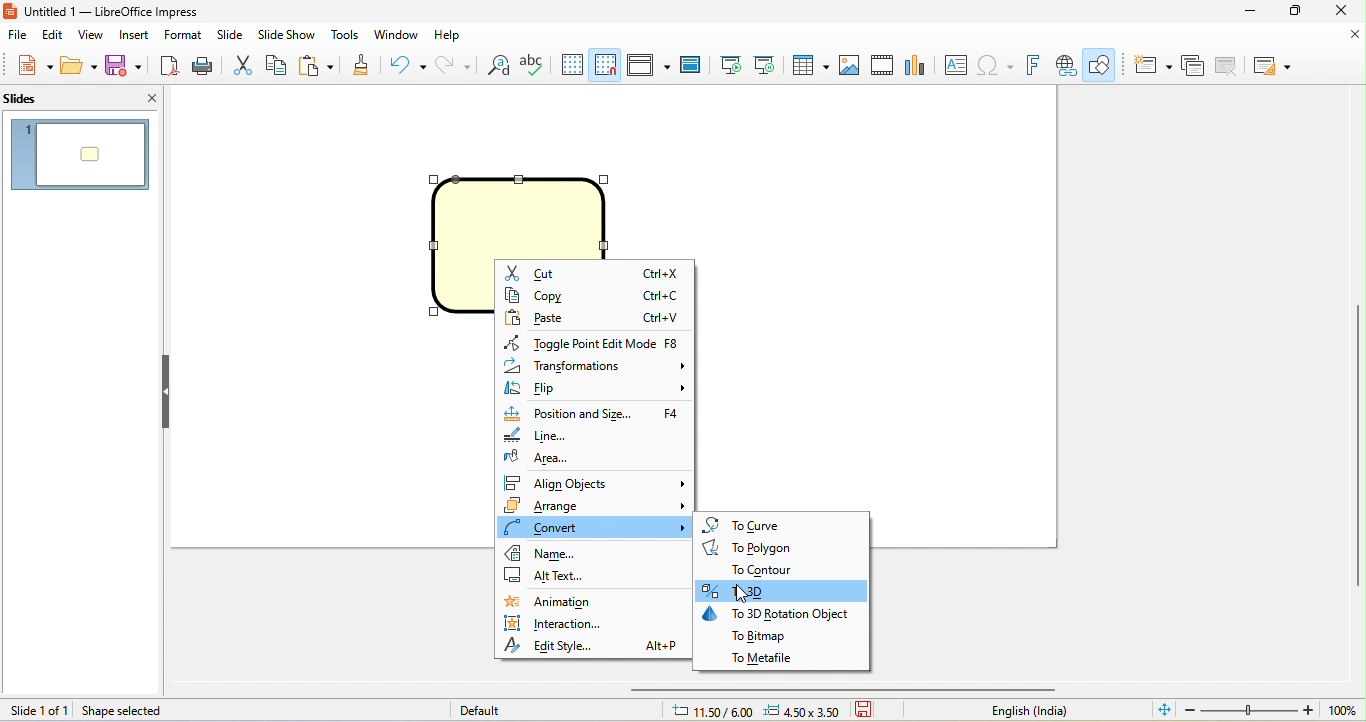 The height and width of the screenshot is (722, 1366). Describe the element at coordinates (958, 67) in the screenshot. I see `text box` at that location.